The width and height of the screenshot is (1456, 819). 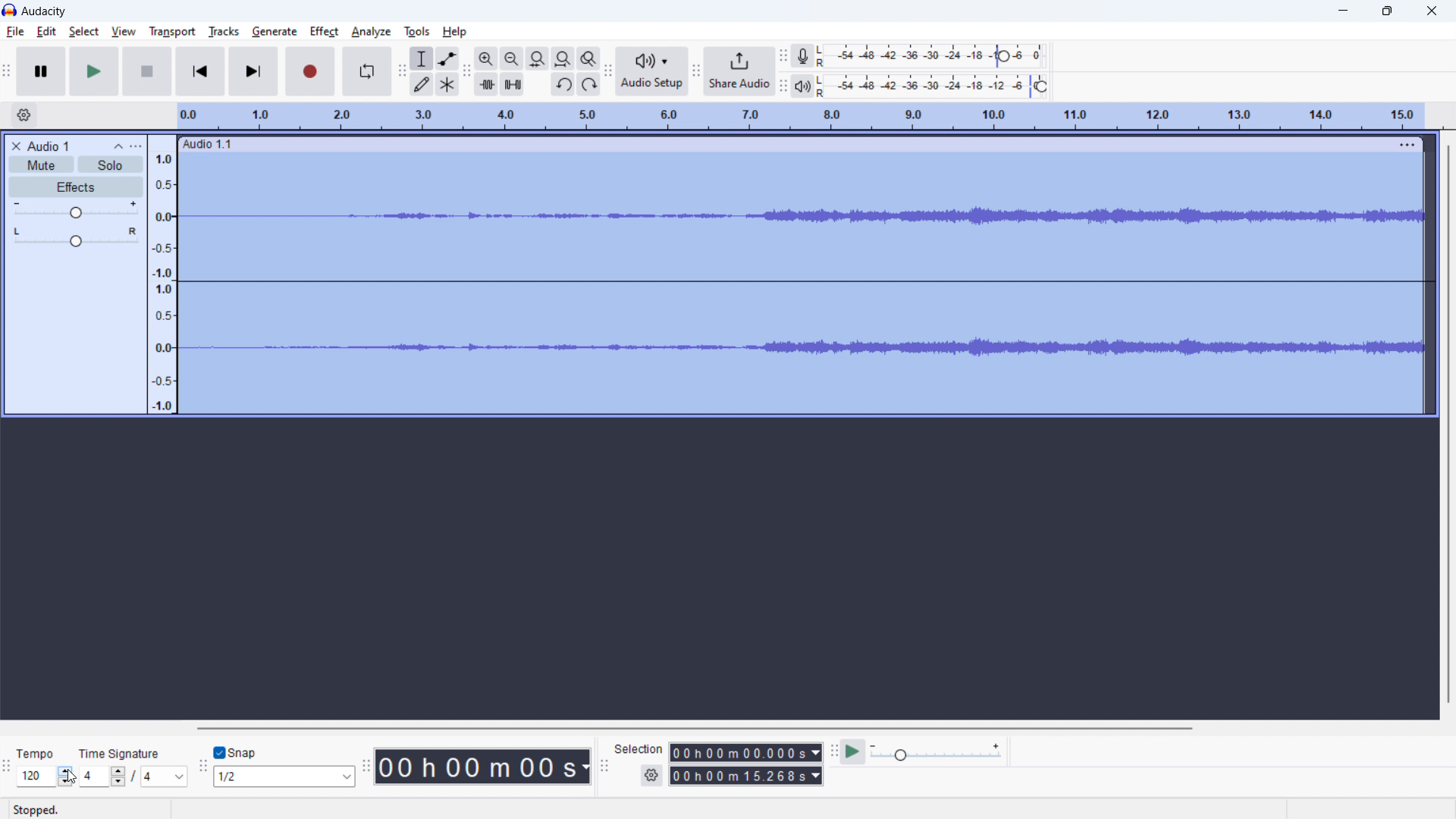 I want to click on select, so click(x=83, y=31).